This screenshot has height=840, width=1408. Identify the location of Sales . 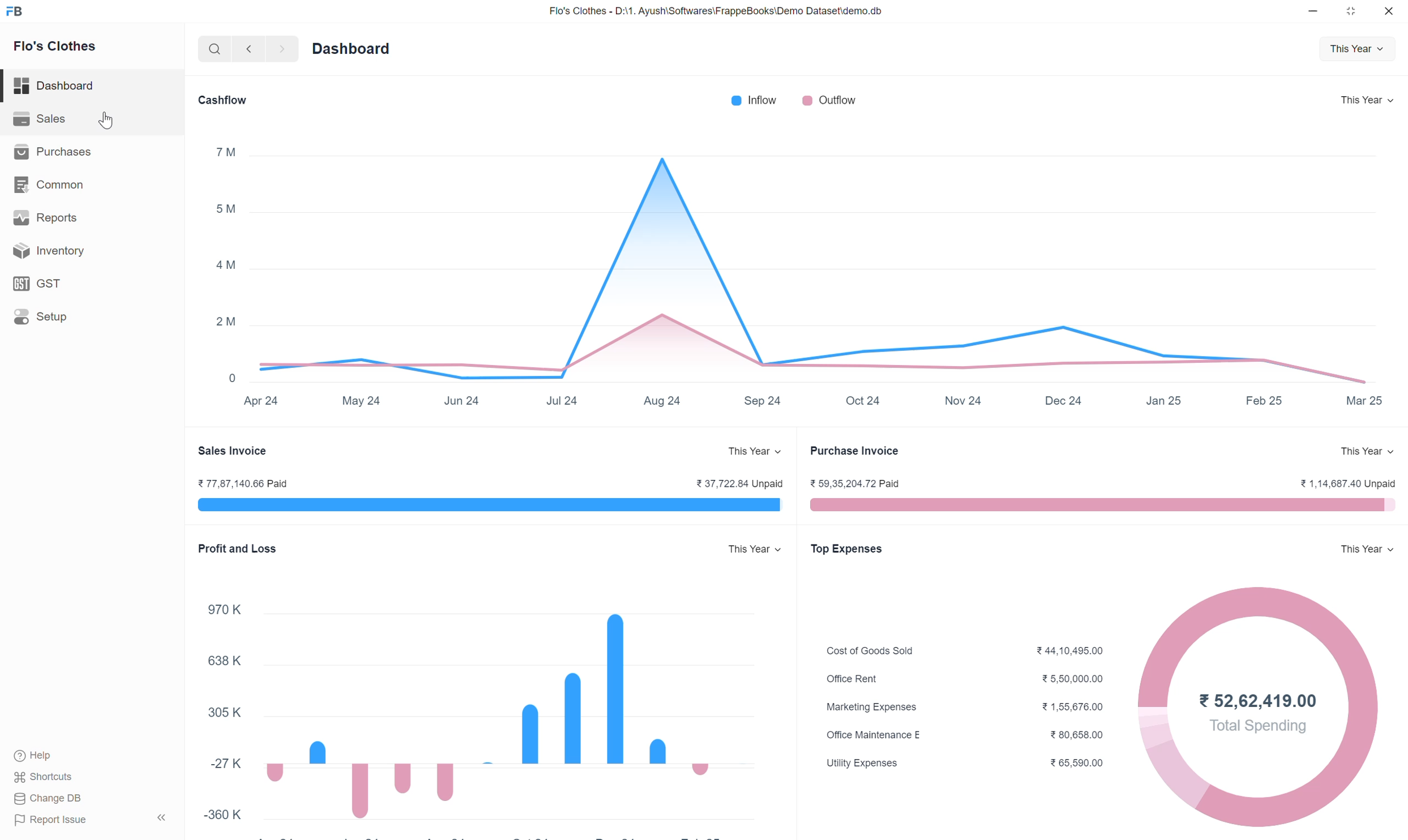
(71, 119).